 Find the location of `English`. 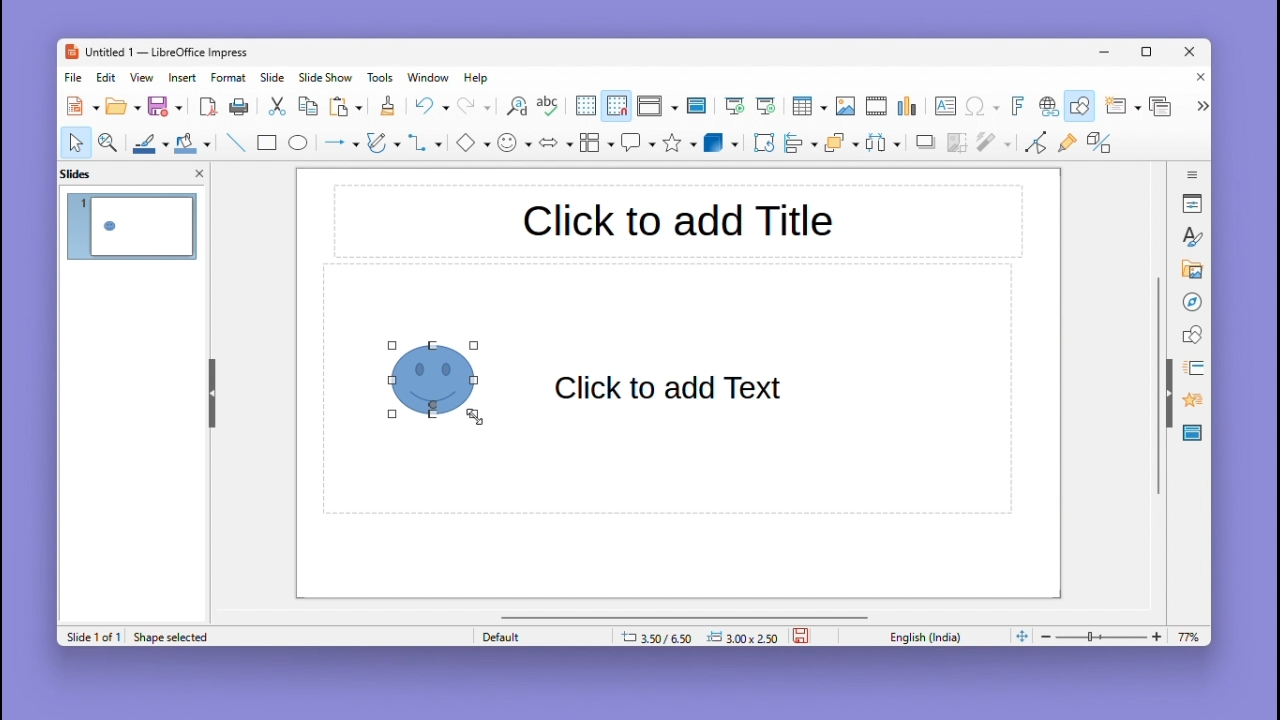

English is located at coordinates (930, 636).